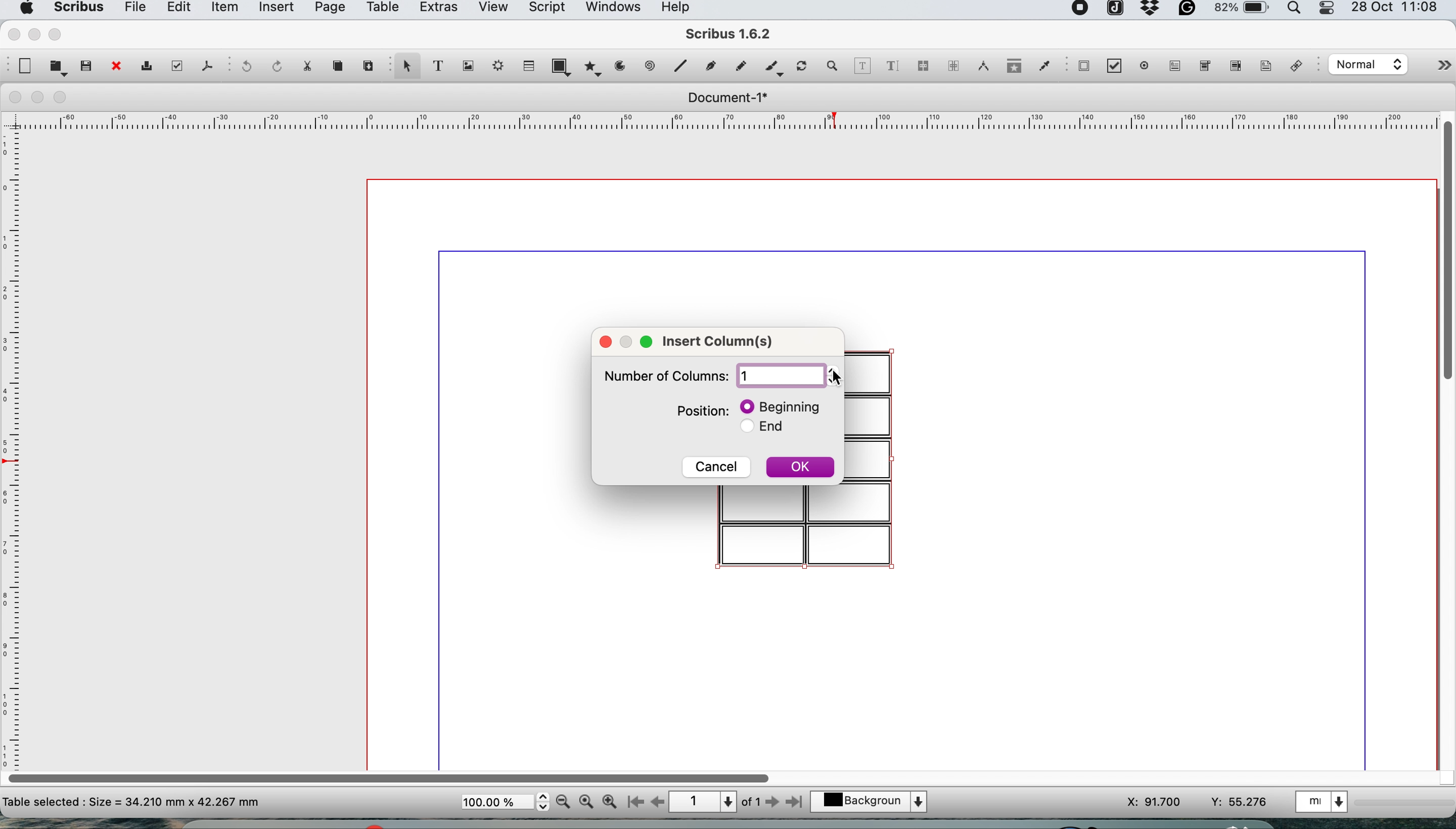  I want to click on beginning, so click(773, 406).